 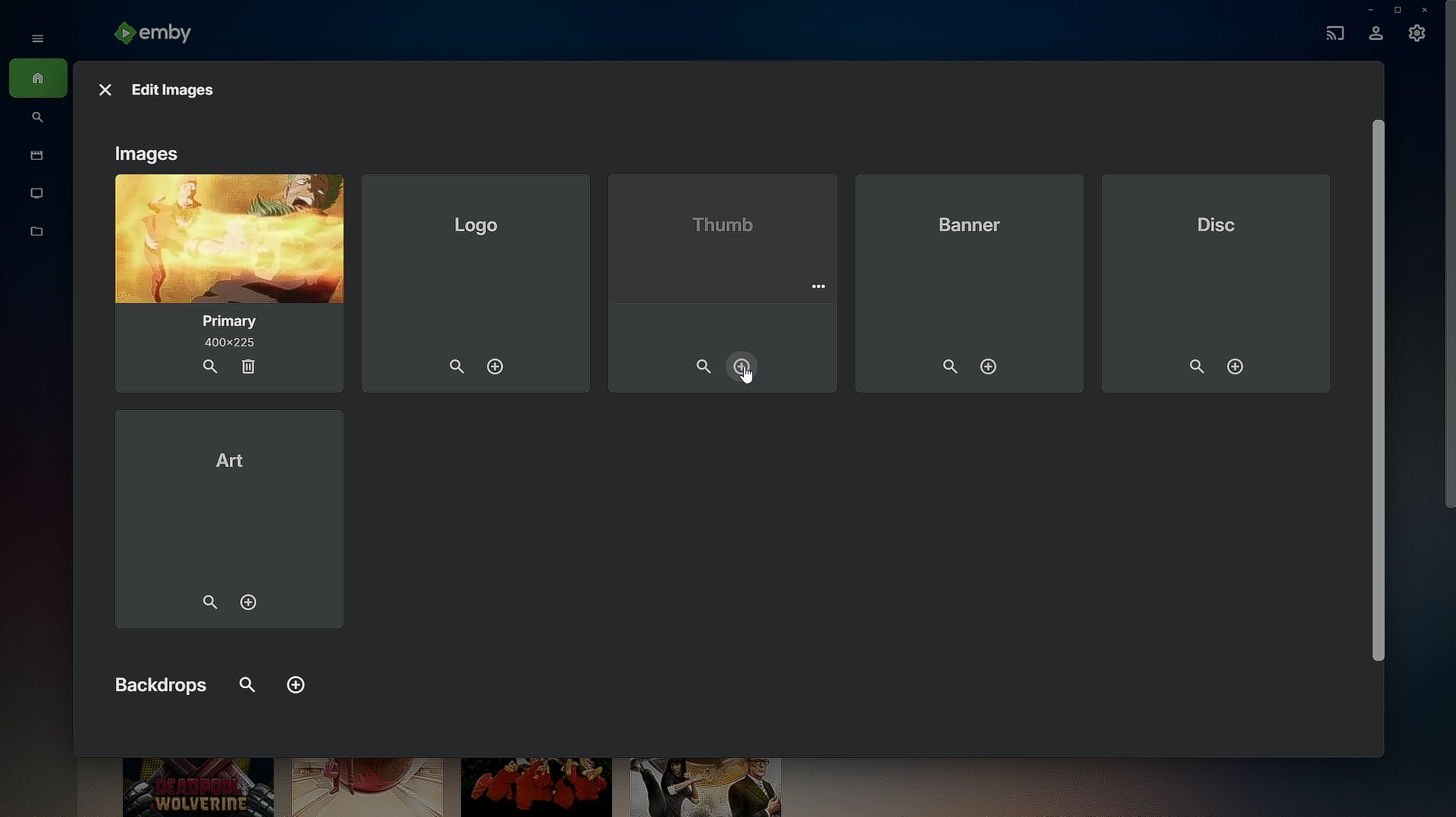 I want to click on Cast, so click(x=1332, y=31).